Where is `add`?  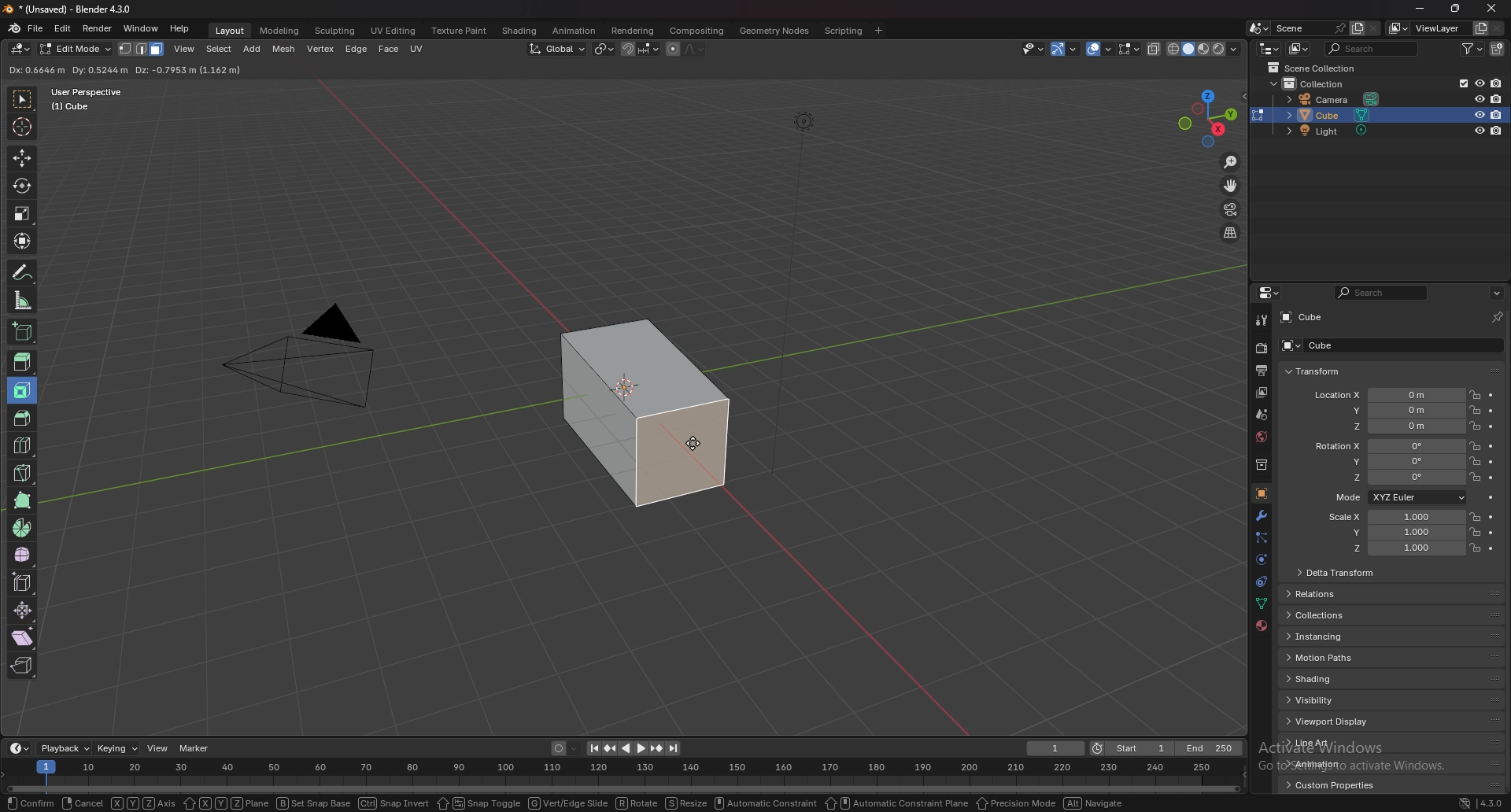
add is located at coordinates (253, 49).